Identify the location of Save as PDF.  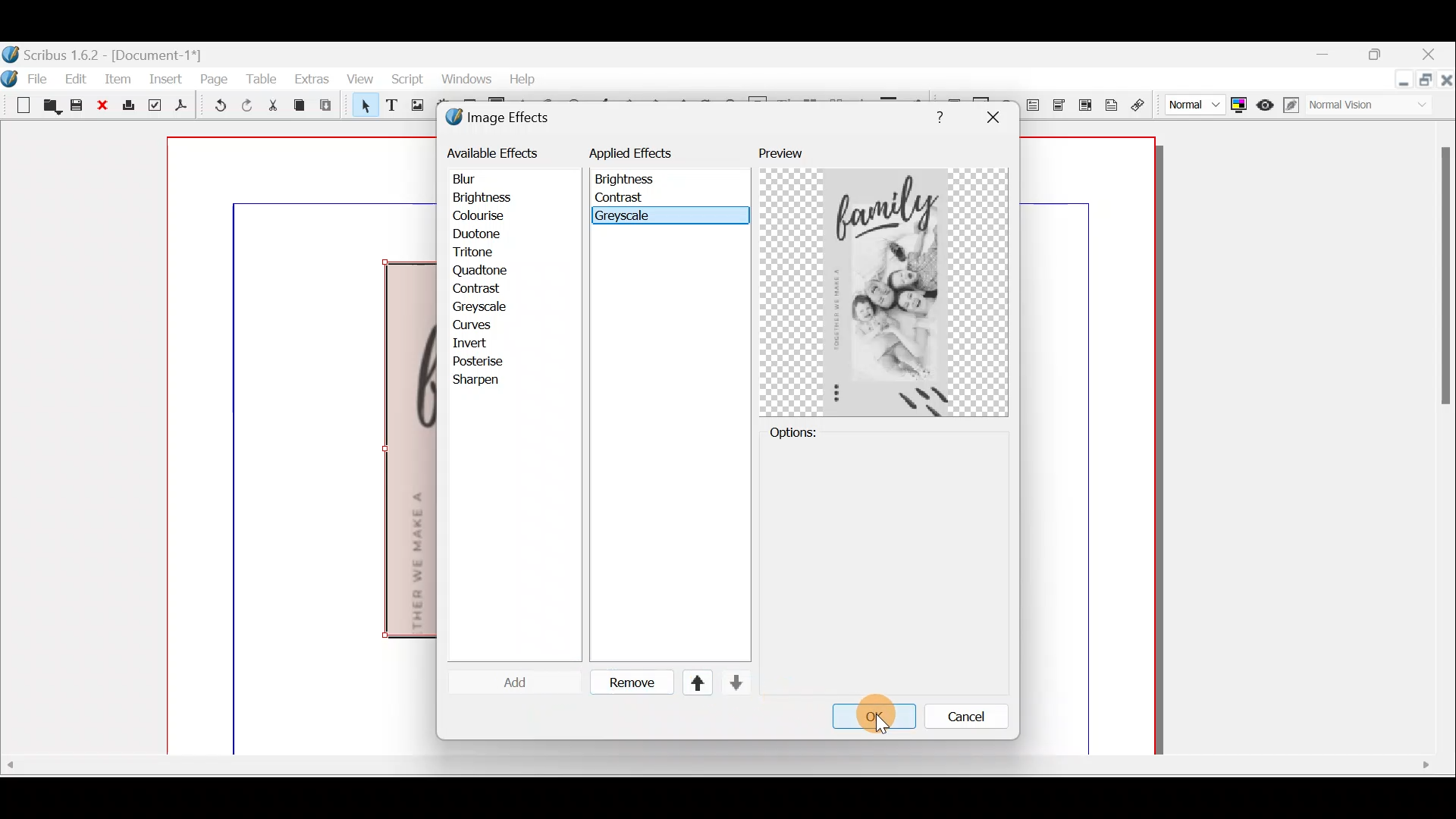
(183, 107).